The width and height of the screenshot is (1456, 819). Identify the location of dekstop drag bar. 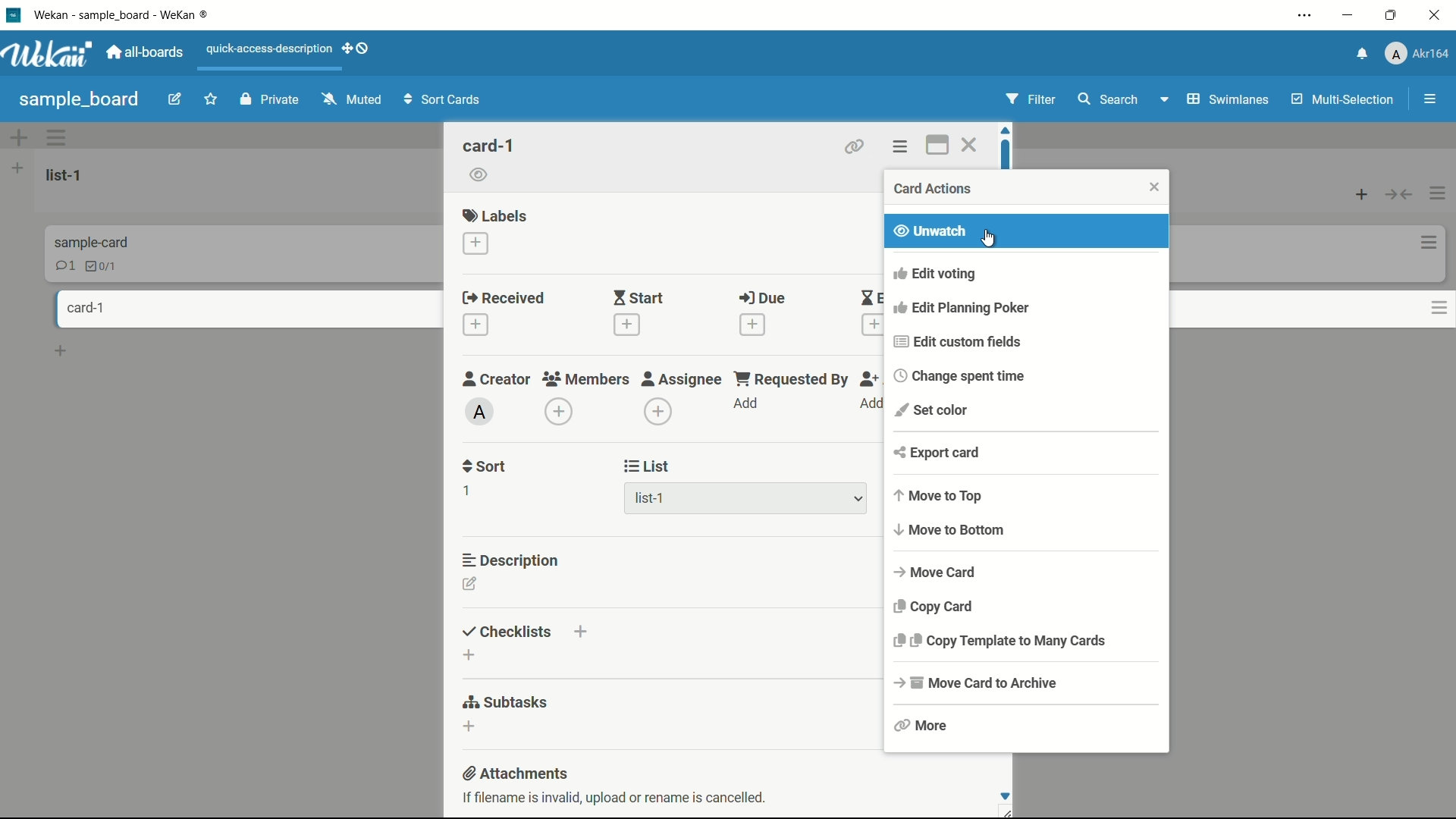
(356, 50).